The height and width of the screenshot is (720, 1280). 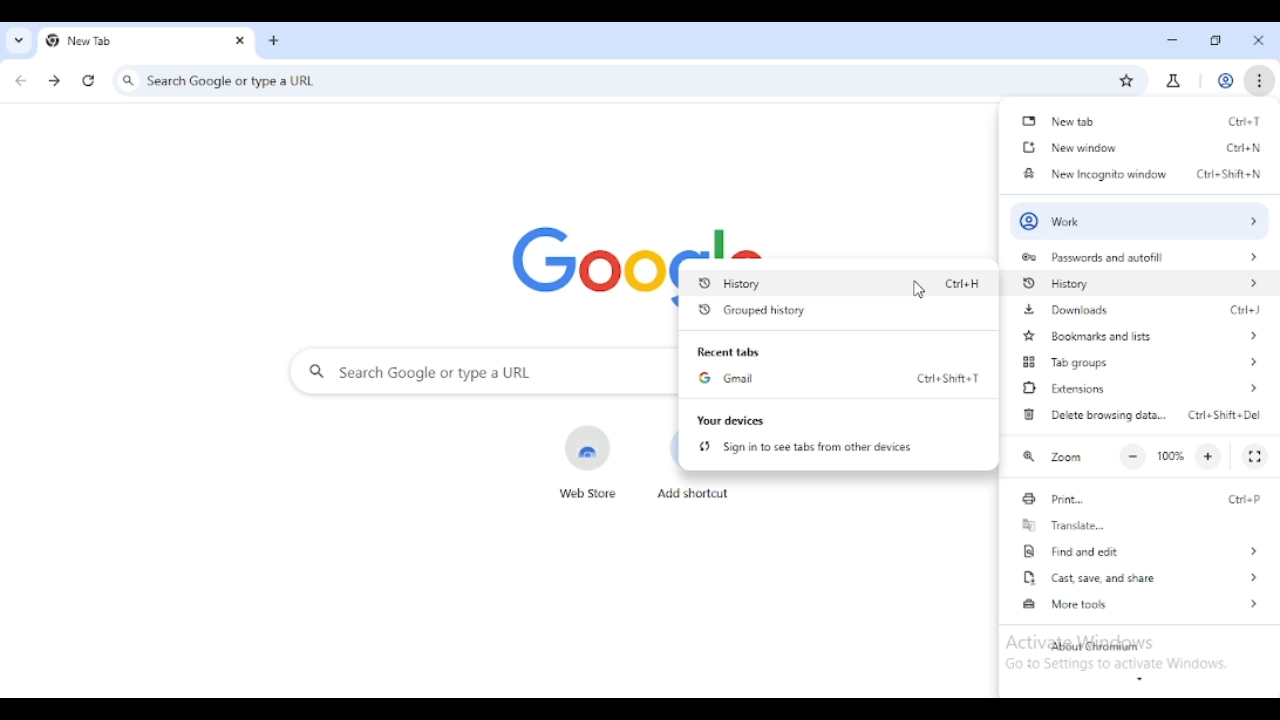 What do you see at coordinates (21, 81) in the screenshot?
I see `click to go back` at bounding box center [21, 81].